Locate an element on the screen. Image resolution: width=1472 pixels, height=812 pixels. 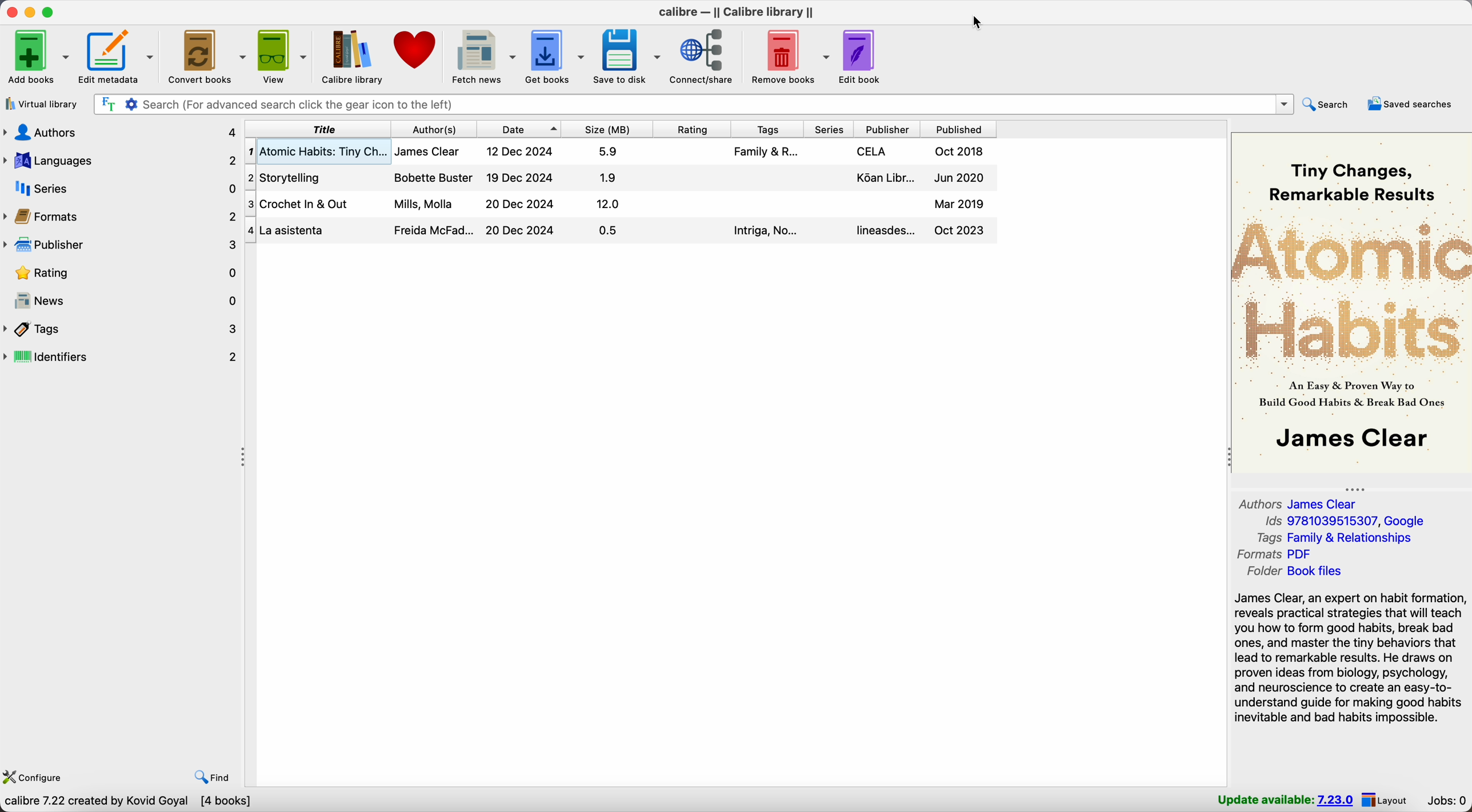
formats PDF is located at coordinates (1274, 554).